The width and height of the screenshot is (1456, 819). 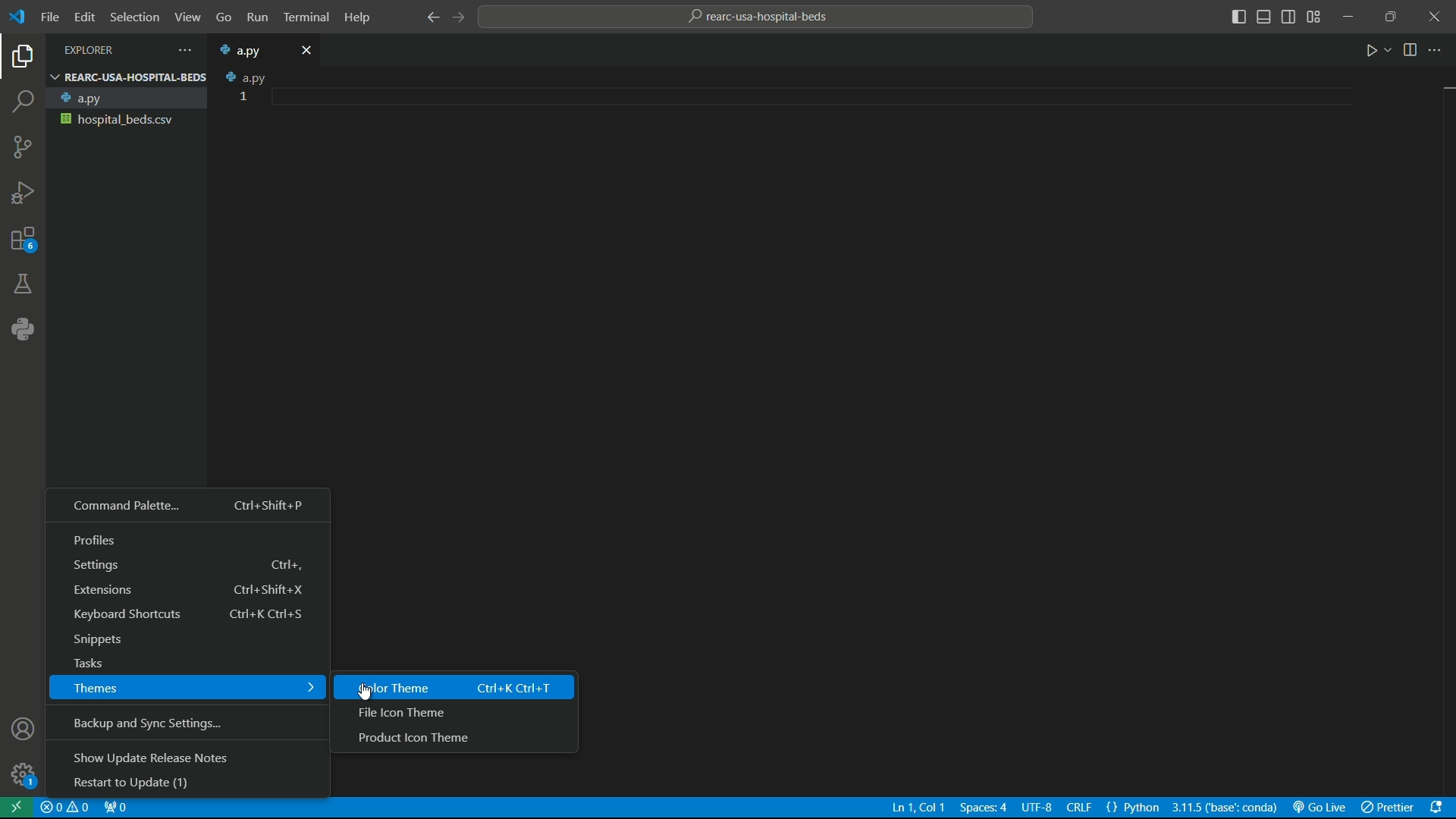 What do you see at coordinates (22, 243) in the screenshot?
I see `extensions` at bounding box center [22, 243].